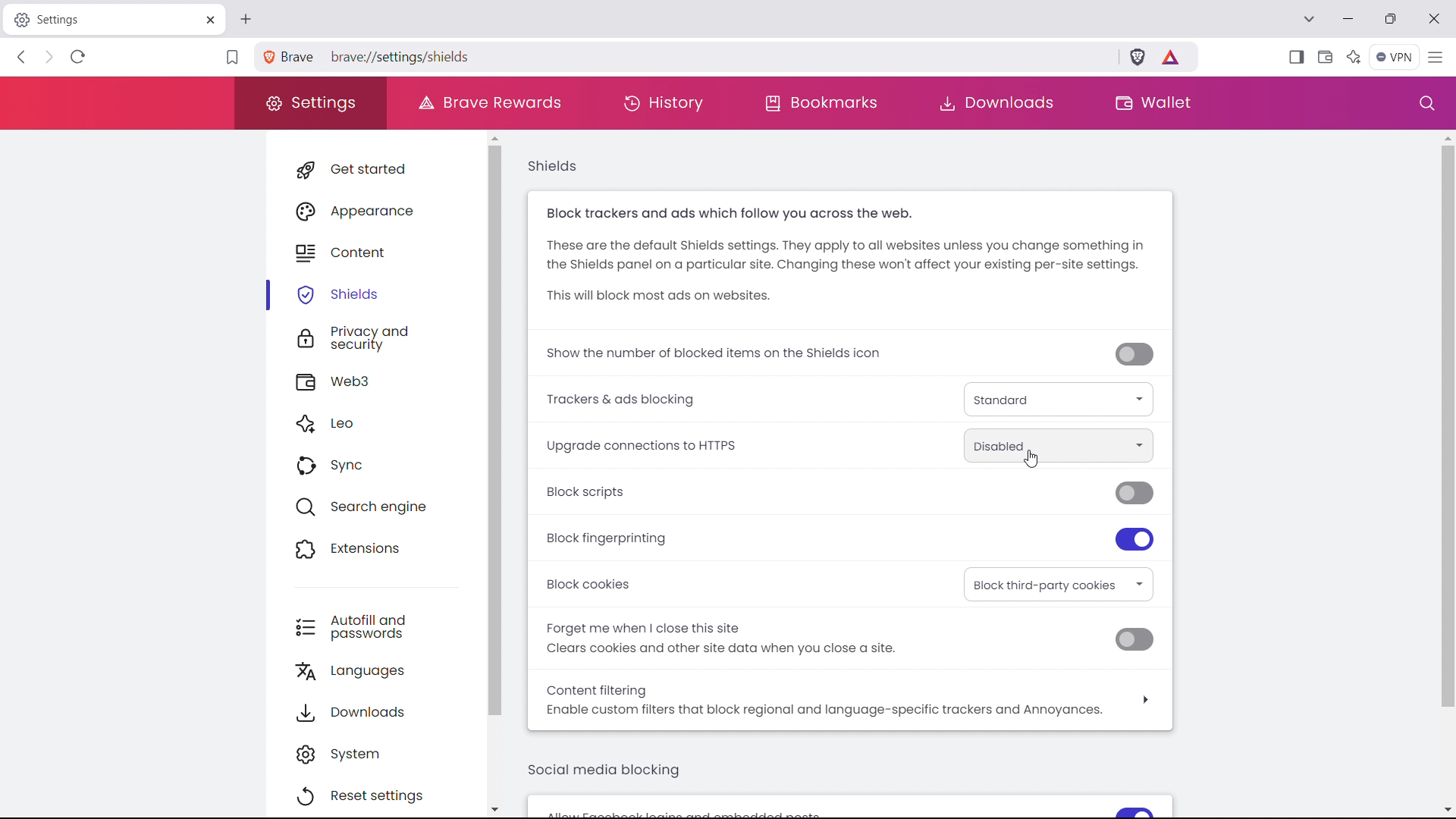 This screenshot has width=1456, height=819. Describe the element at coordinates (1348, 20) in the screenshot. I see `minimize` at that location.